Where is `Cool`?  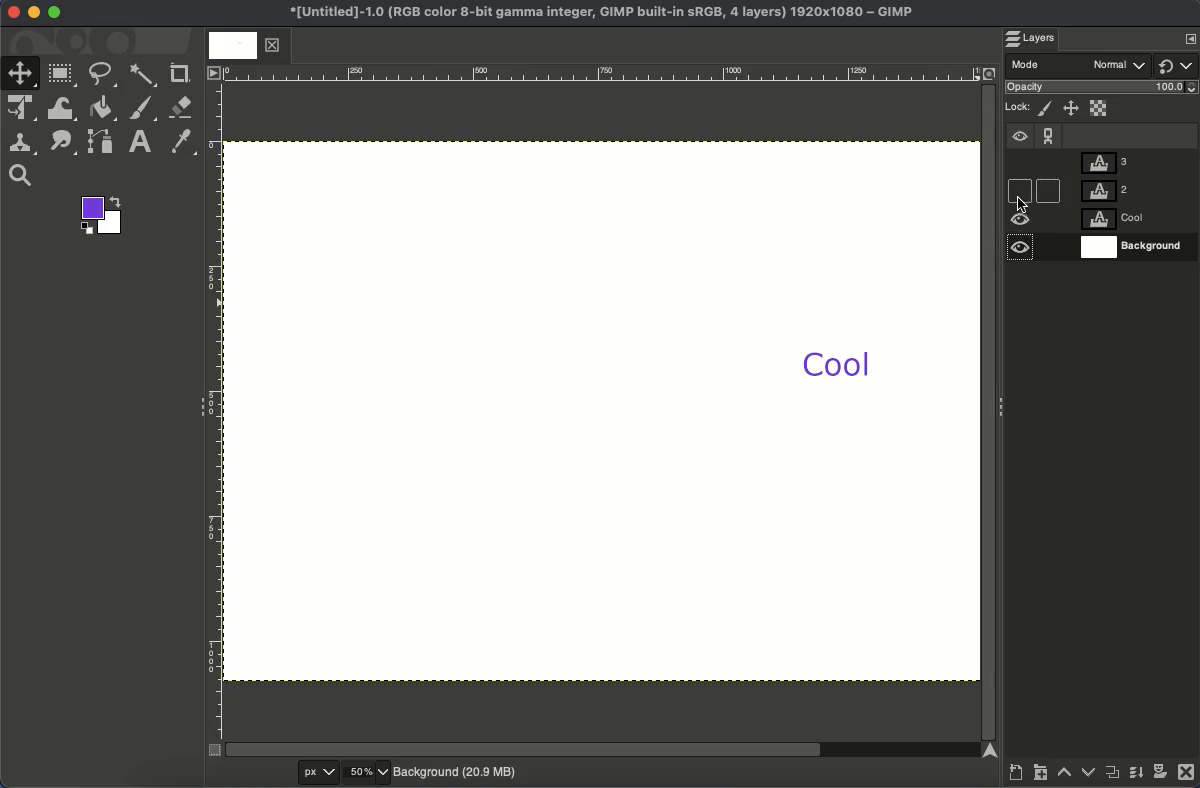 Cool is located at coordinates (835, 366).